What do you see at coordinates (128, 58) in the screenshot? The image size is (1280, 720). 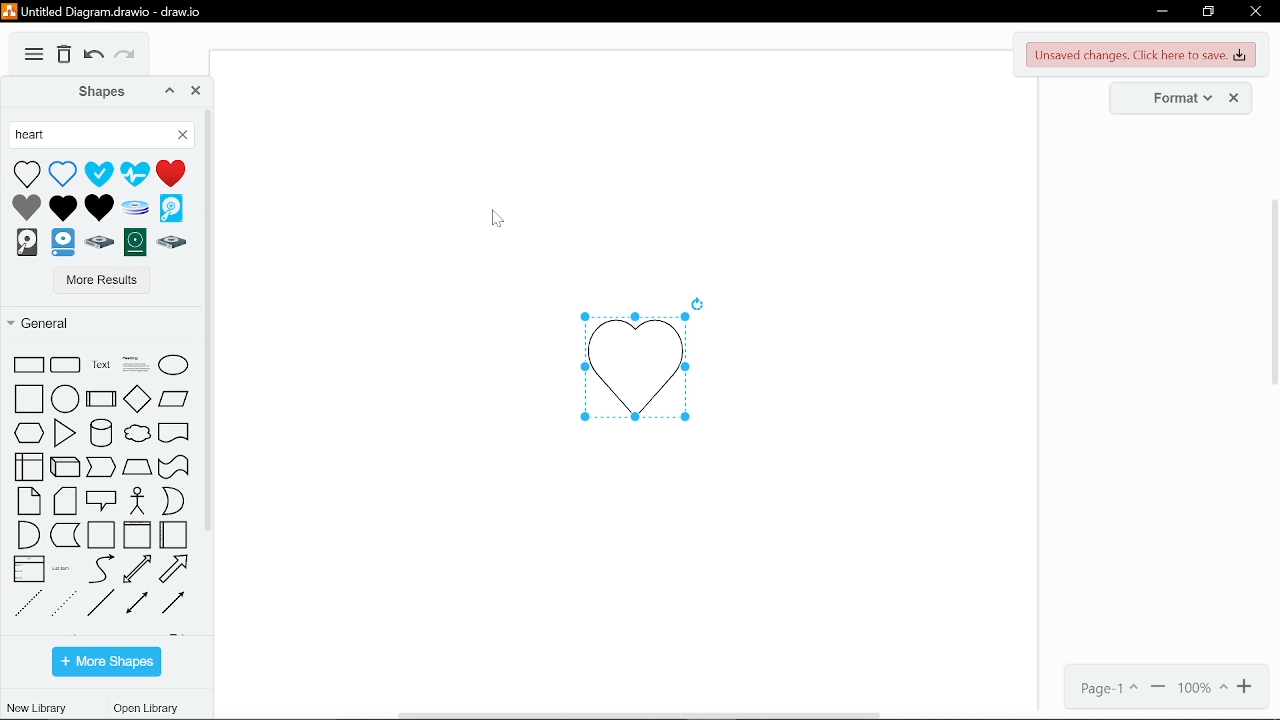 I see `redo` at bounding box center [128, 58].